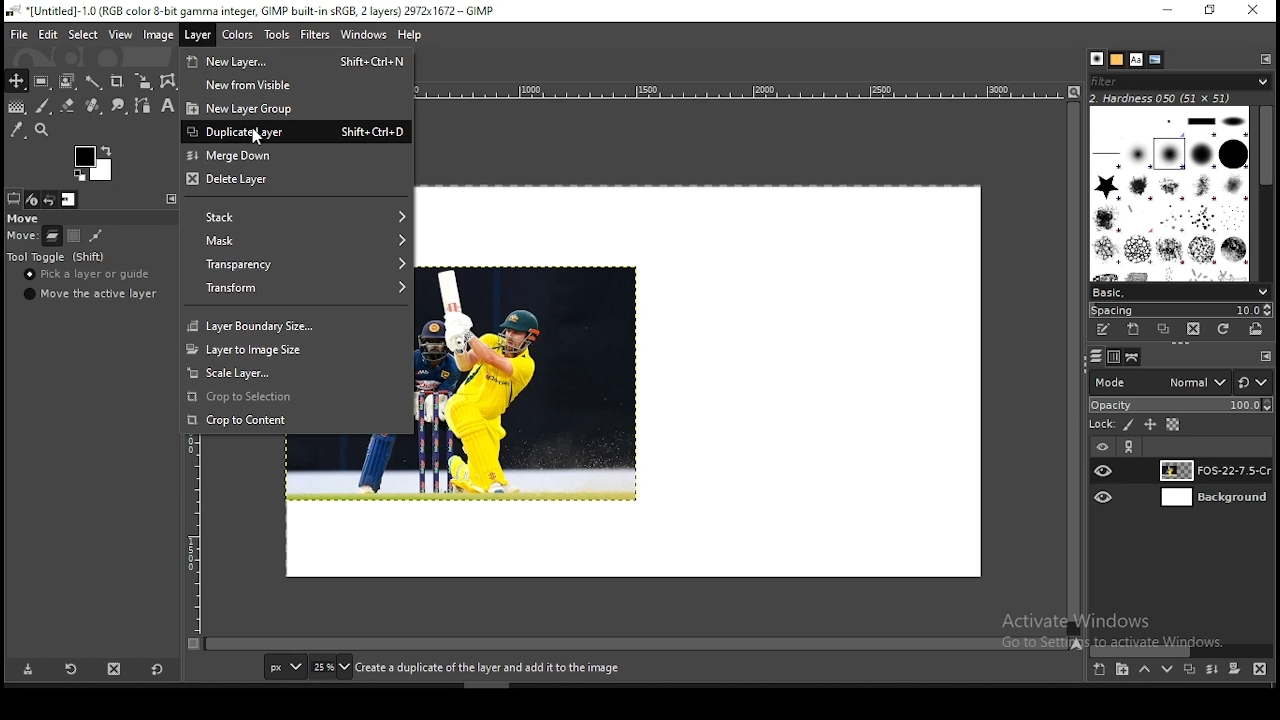 The width and height of the screenshot is (1280, 720). Describe the element at coordinates (410, 37) in the screenshot. I see `help` at that location.